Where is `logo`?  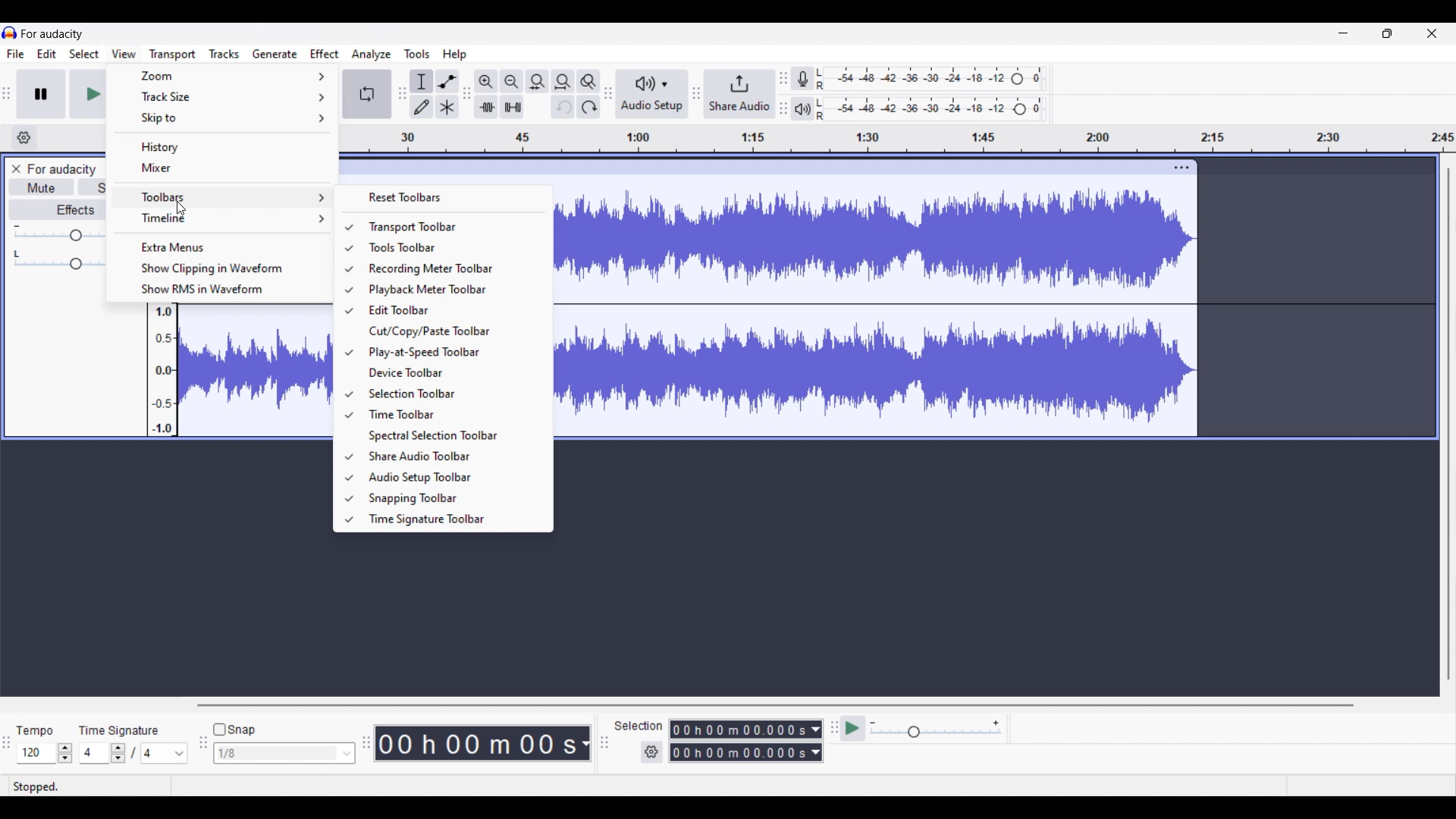
logo is located at coordinates (10, 32).